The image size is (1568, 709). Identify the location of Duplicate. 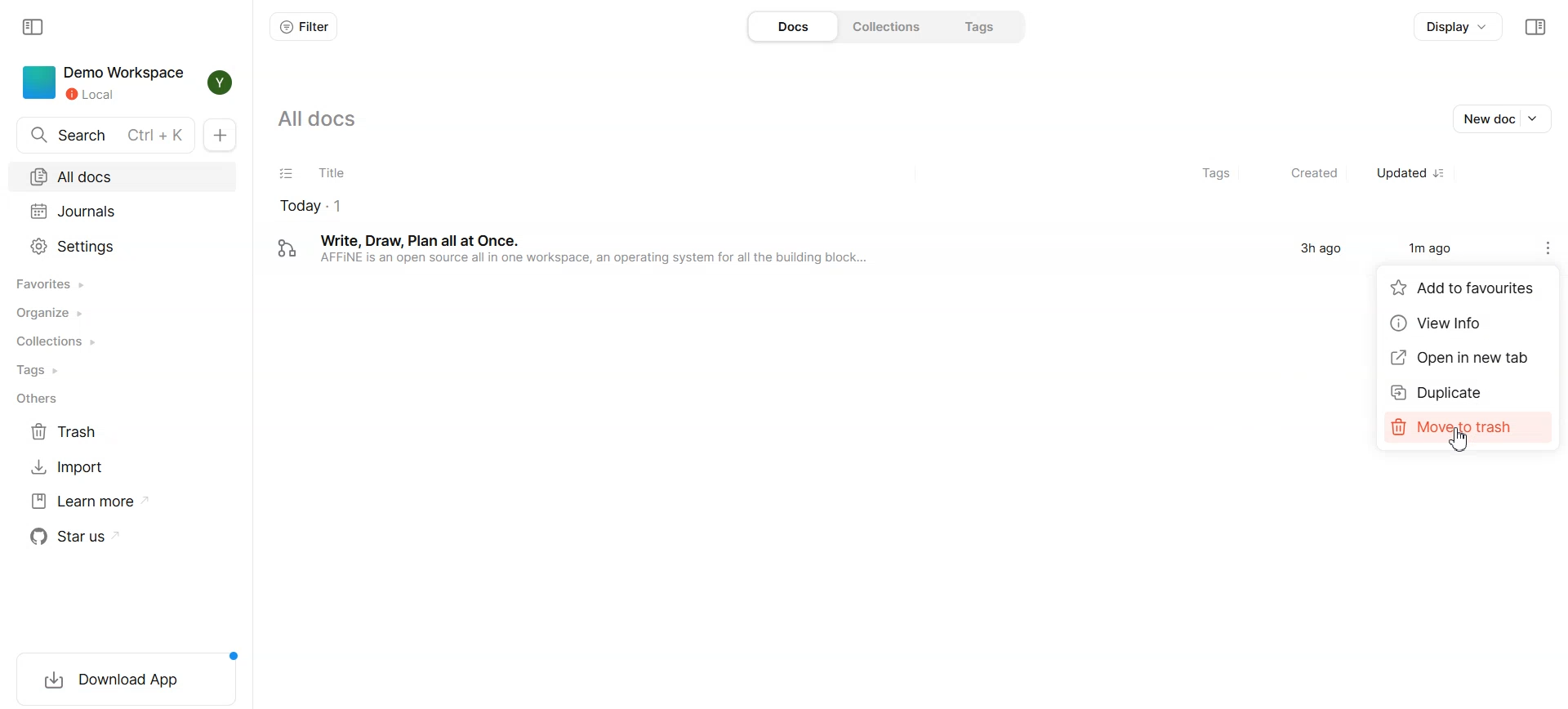
(1468, 392).